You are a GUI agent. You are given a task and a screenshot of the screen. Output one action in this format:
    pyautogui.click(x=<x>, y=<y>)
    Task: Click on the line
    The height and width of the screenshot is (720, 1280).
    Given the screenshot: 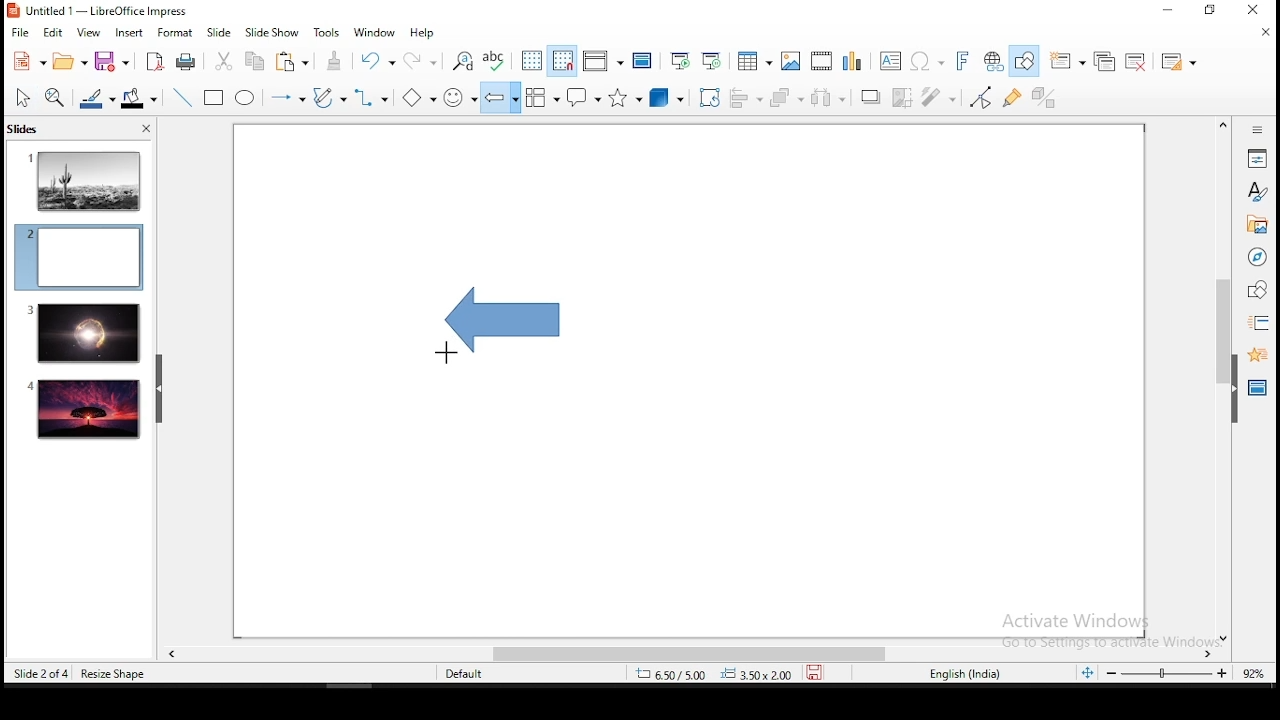 What is the action you would take?
    pyautogui.click(x=180, y=98)
    